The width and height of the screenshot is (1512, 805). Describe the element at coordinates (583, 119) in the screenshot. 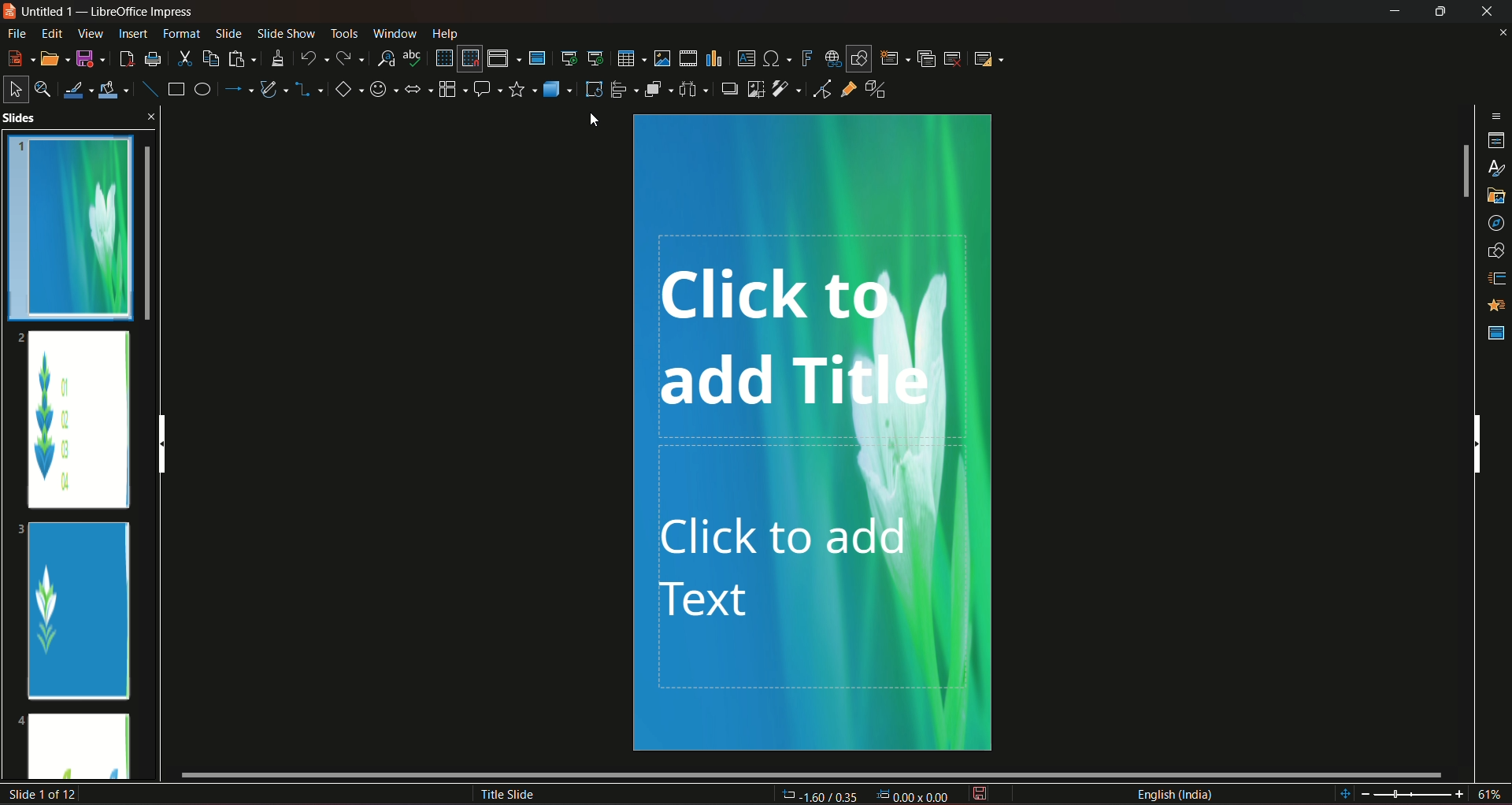

I see `cursor` at that location.